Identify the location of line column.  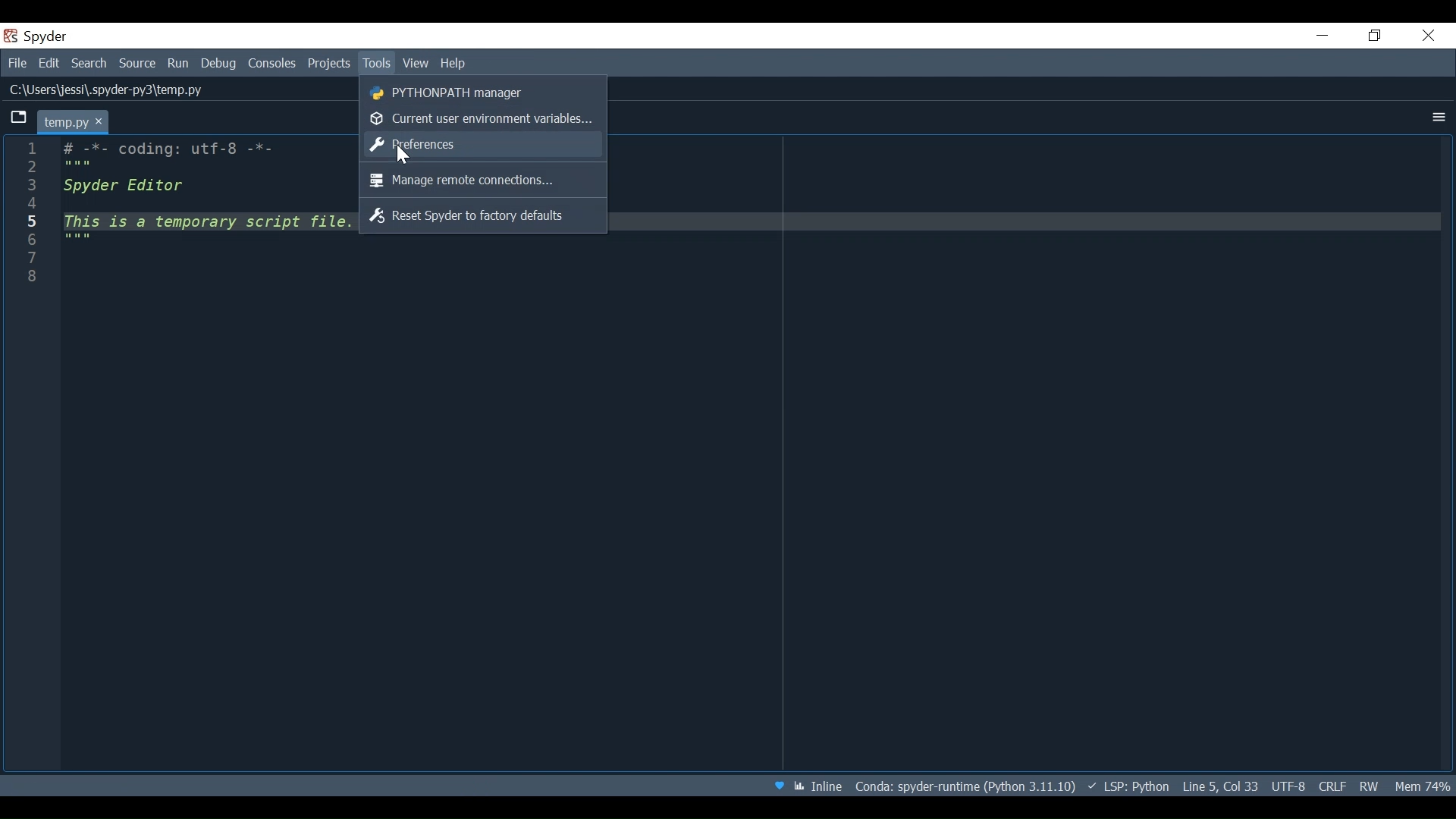
(37, 454).